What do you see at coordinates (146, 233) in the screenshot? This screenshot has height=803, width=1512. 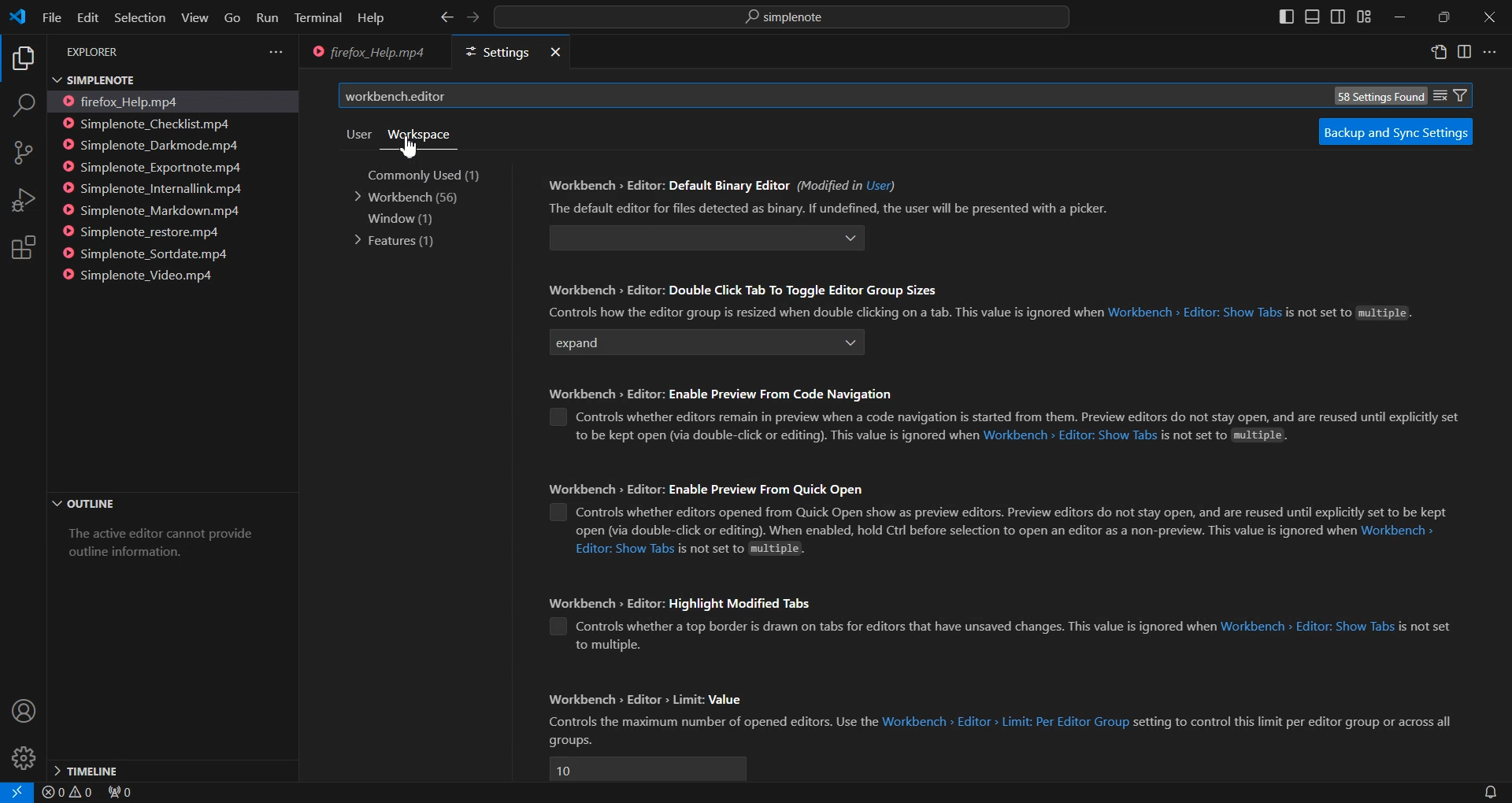 I see `| Simplenote_restore.mp4` at bounding box center [146, 233].